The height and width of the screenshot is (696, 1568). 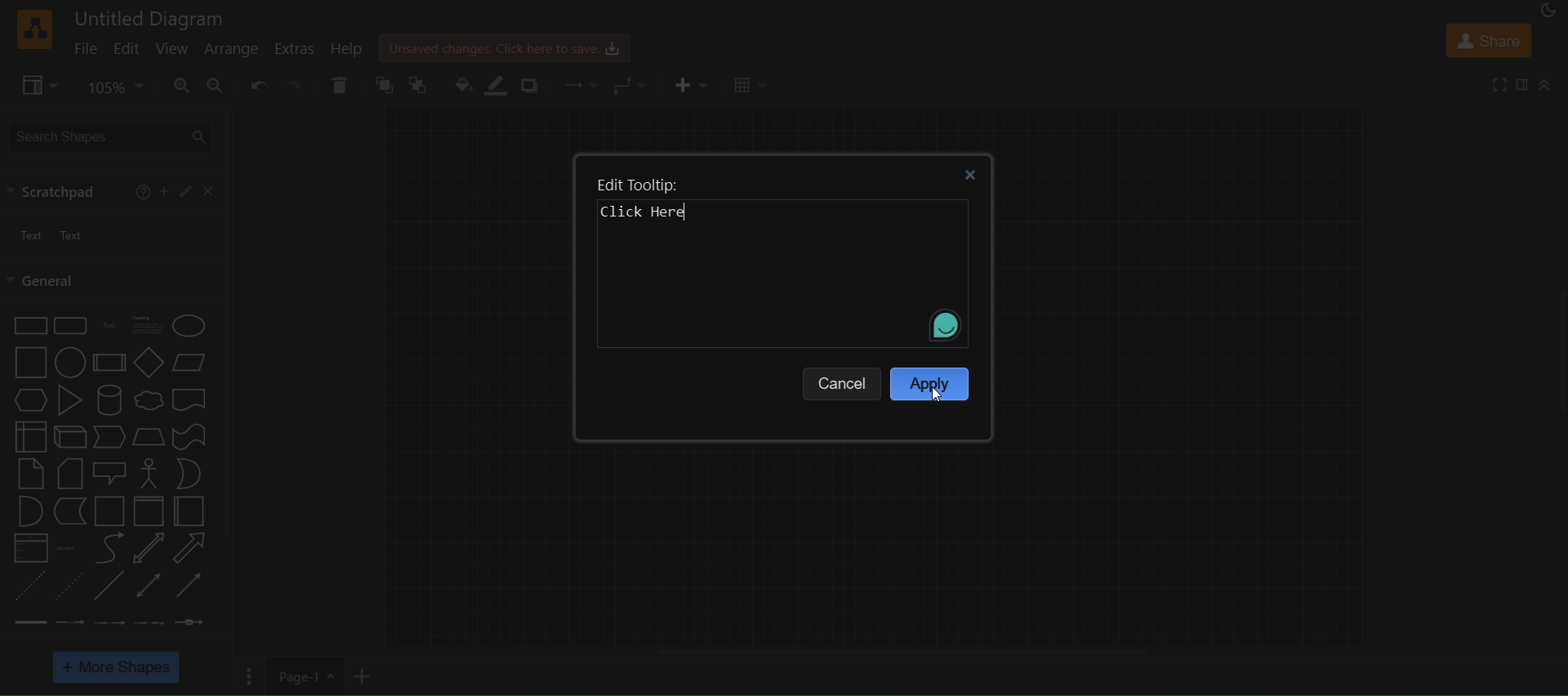 What do you see at coordinates (107, 511) in the screenshot?
I see `container` at bounding box center [107, 511].